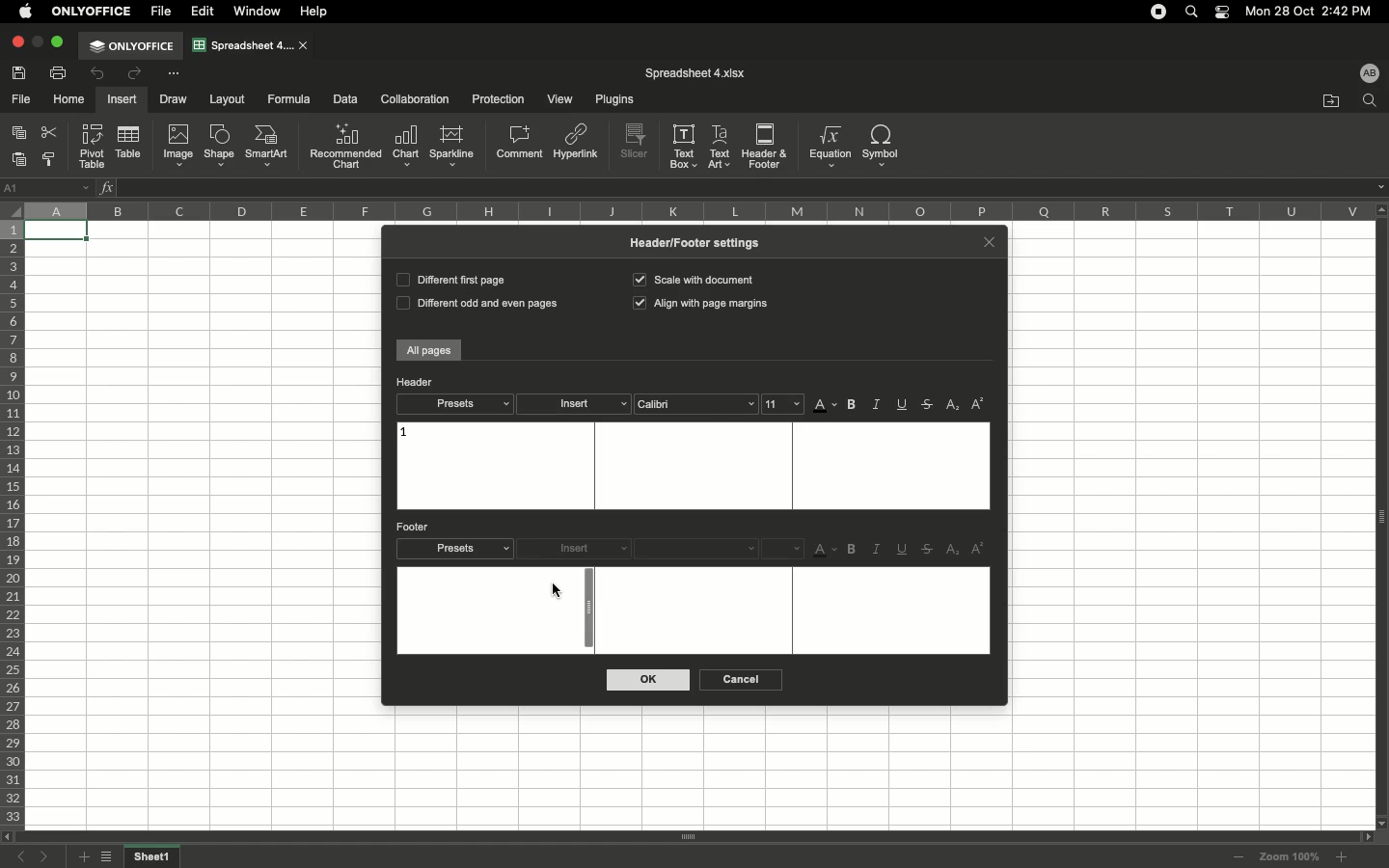 The image size is (1389, 868). What do you see at coordinates (243, 44) in the screenshot?
I see `Spreadsheet tab` at bounding box center [243, 44].